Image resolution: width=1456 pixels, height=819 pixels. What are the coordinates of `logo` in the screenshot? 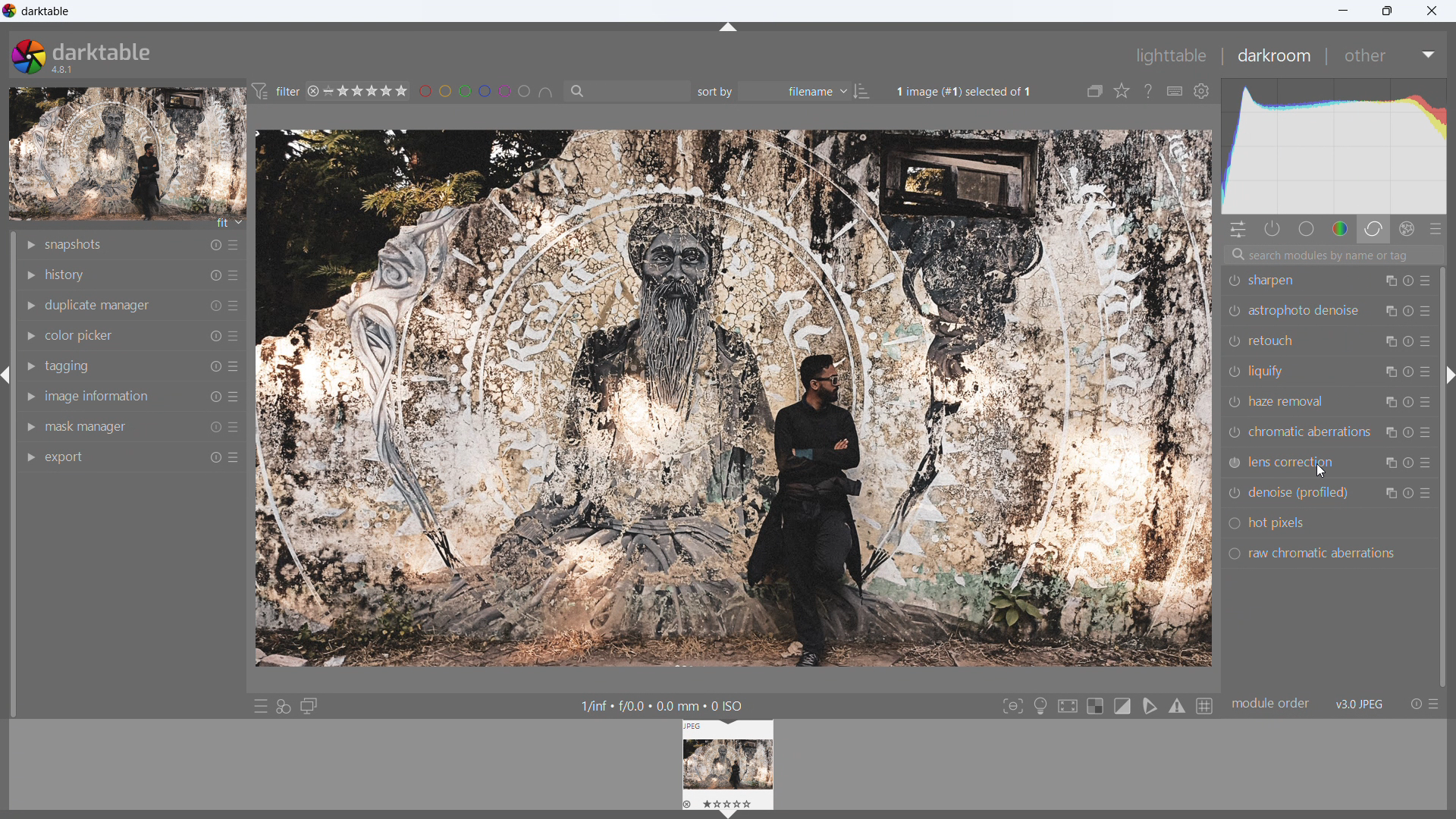 It's located at (10, 11).